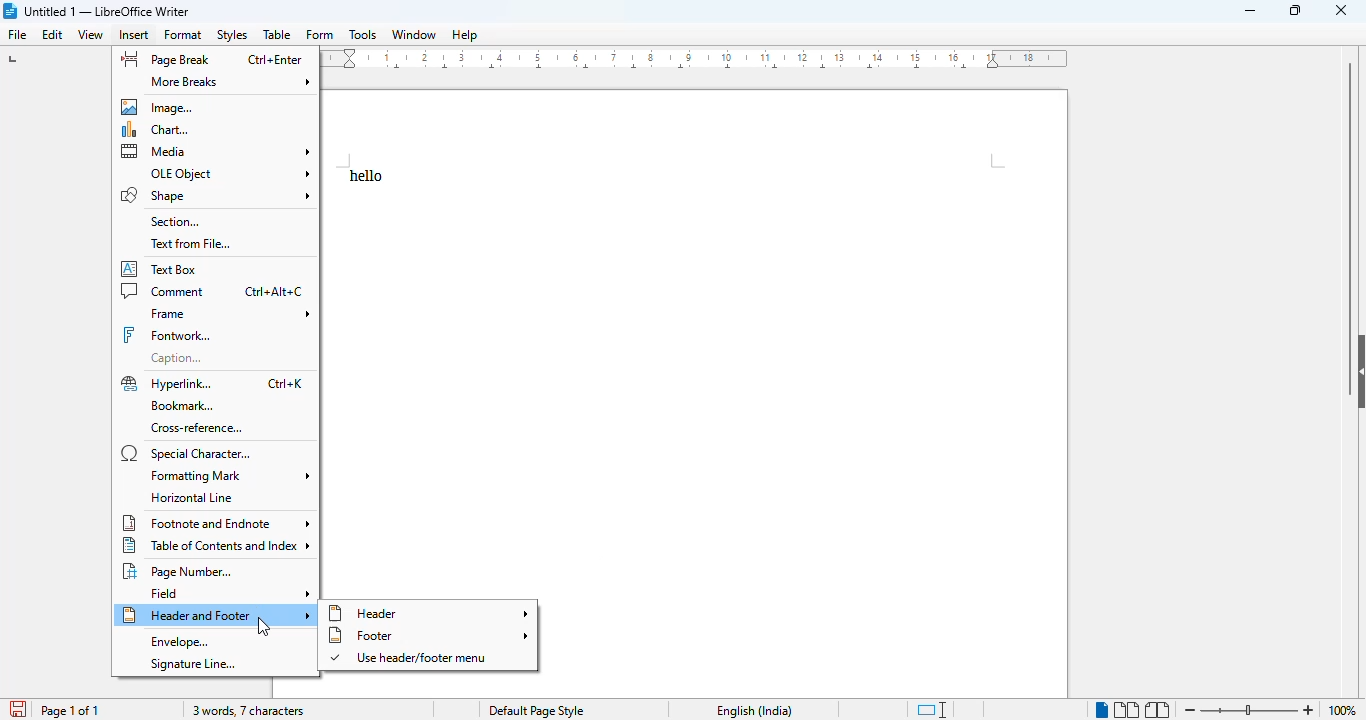  What do you see at coordinates (1357, 371) in the screenshot?
I see `show` at bounding box center [1357, 371].